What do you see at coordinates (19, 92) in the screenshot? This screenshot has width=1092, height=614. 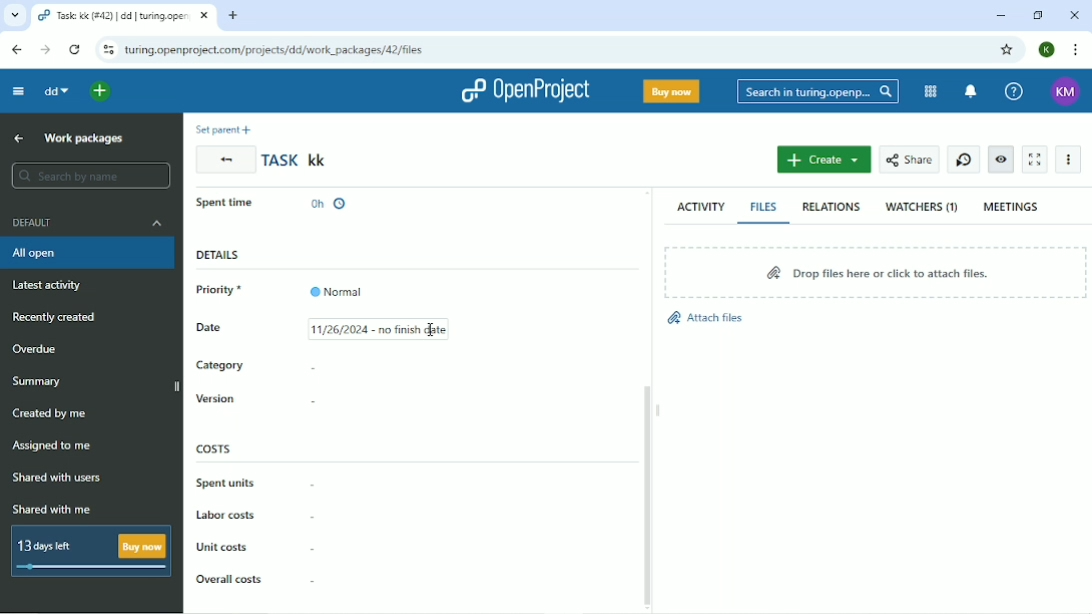 I see `Collapse project menu` at bounding box center [19, 92].